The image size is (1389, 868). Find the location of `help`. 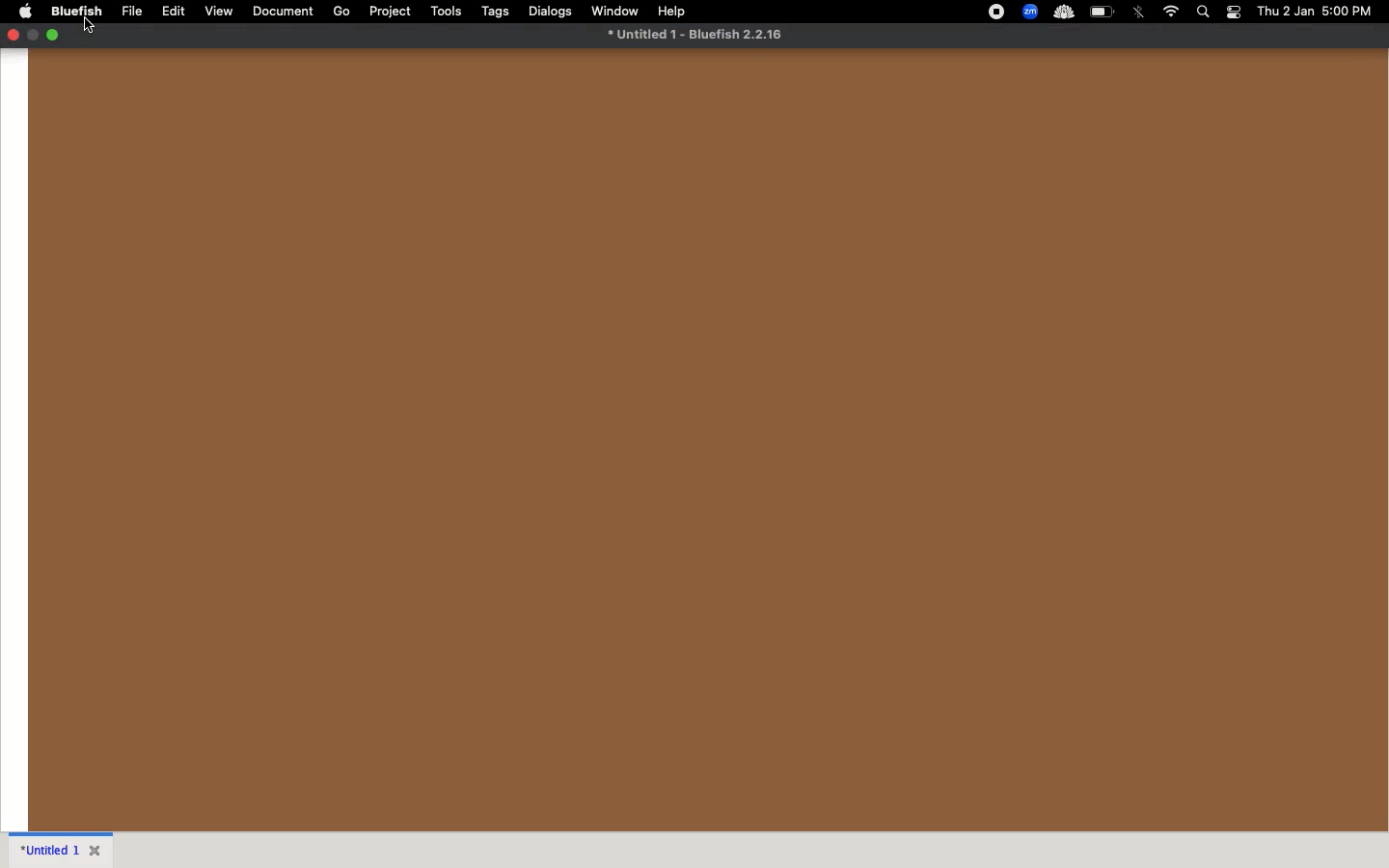

help is located at coordinates (674, 12).